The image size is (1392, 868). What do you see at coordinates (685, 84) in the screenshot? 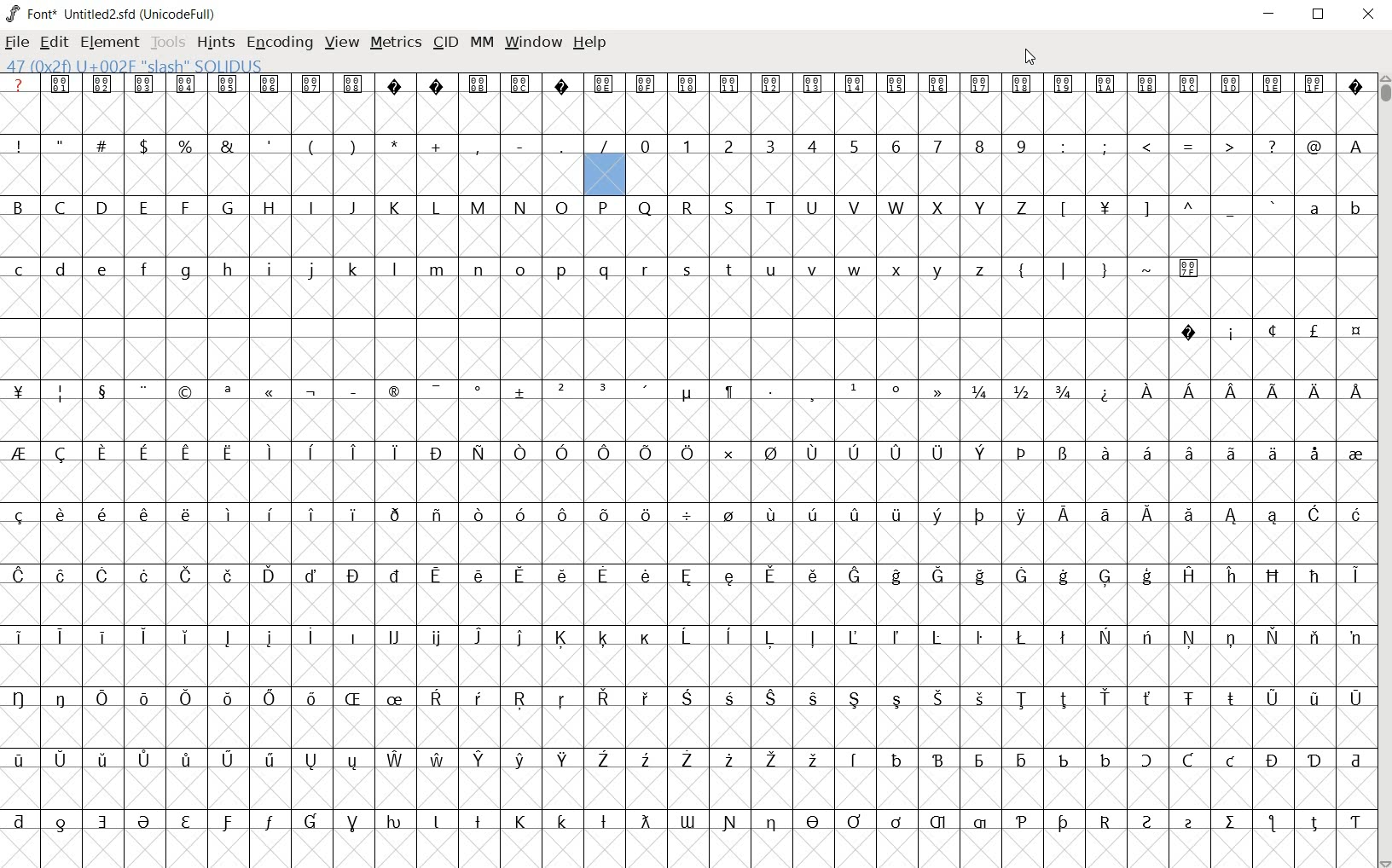
I see `special symbols` at bounding box center [685, 84].